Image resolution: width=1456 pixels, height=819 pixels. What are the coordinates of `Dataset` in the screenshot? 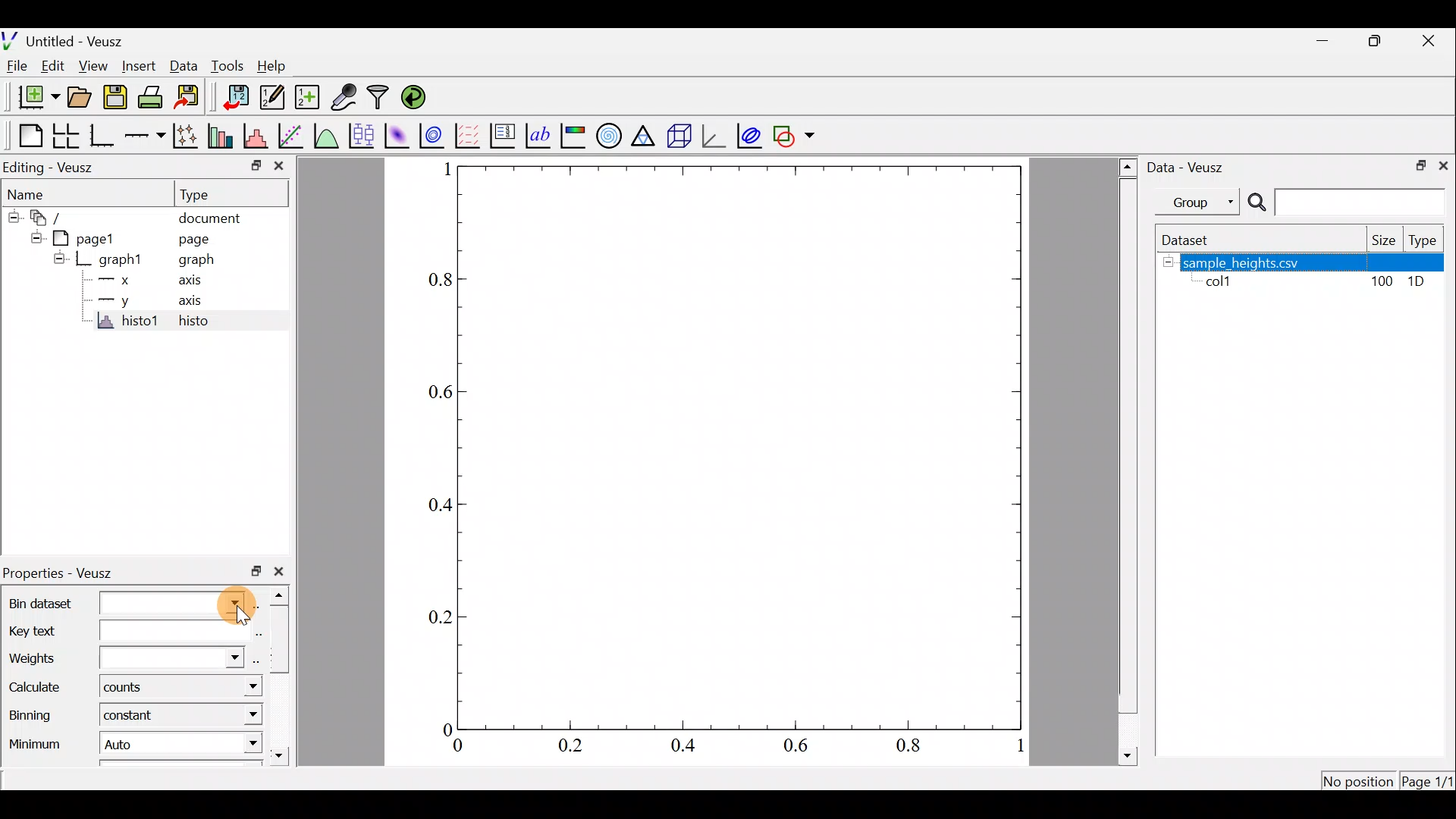 It's located at (1194, 240).